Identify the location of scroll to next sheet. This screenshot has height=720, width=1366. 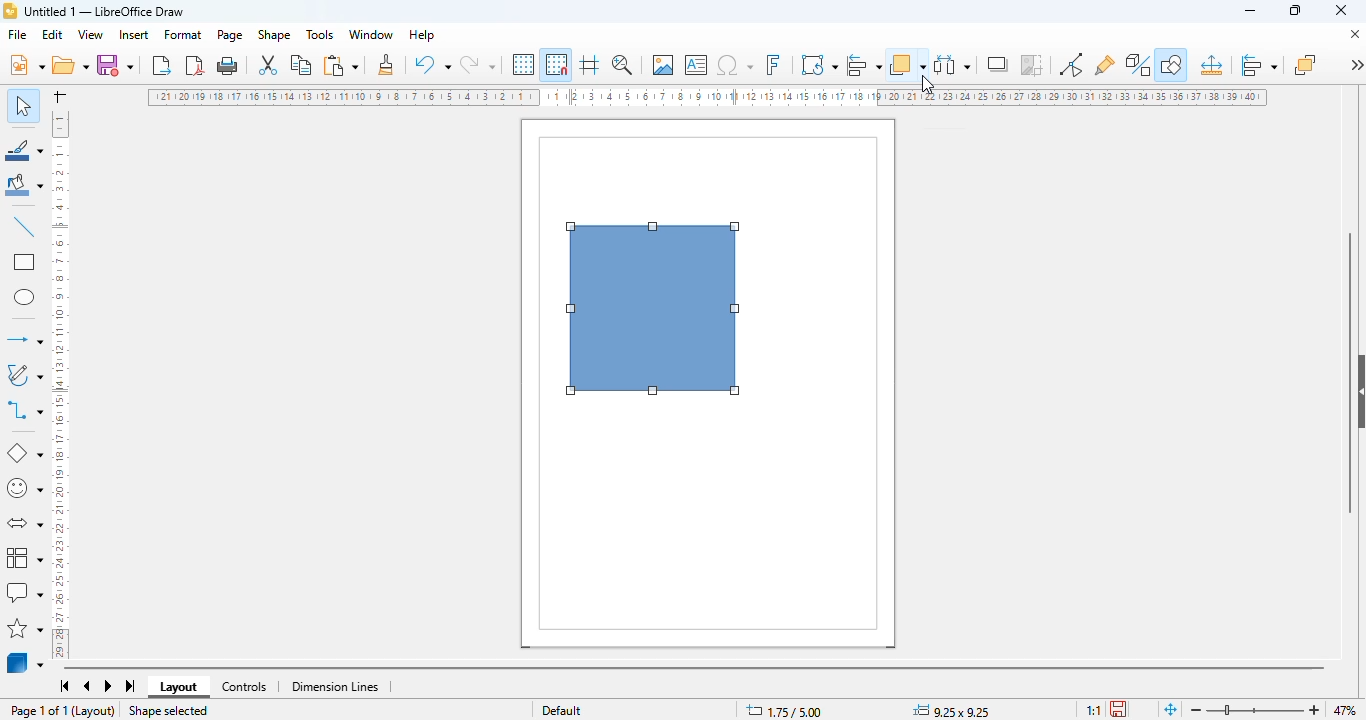
(109, 687).